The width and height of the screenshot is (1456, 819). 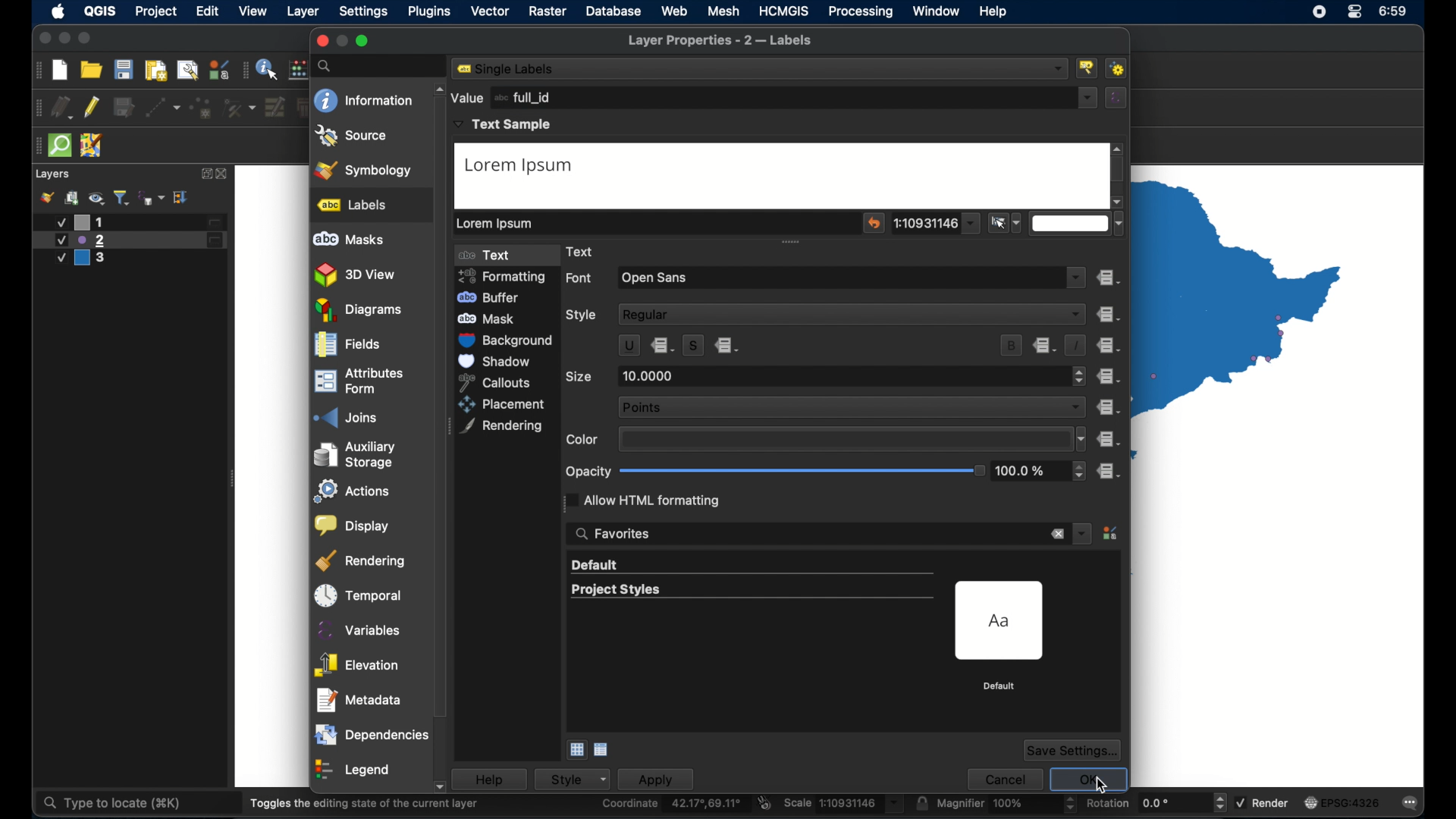 What do you see at coordinates (122, 197) in the screenshot?
I see `filter  legend` at bounding box center [122, 197].